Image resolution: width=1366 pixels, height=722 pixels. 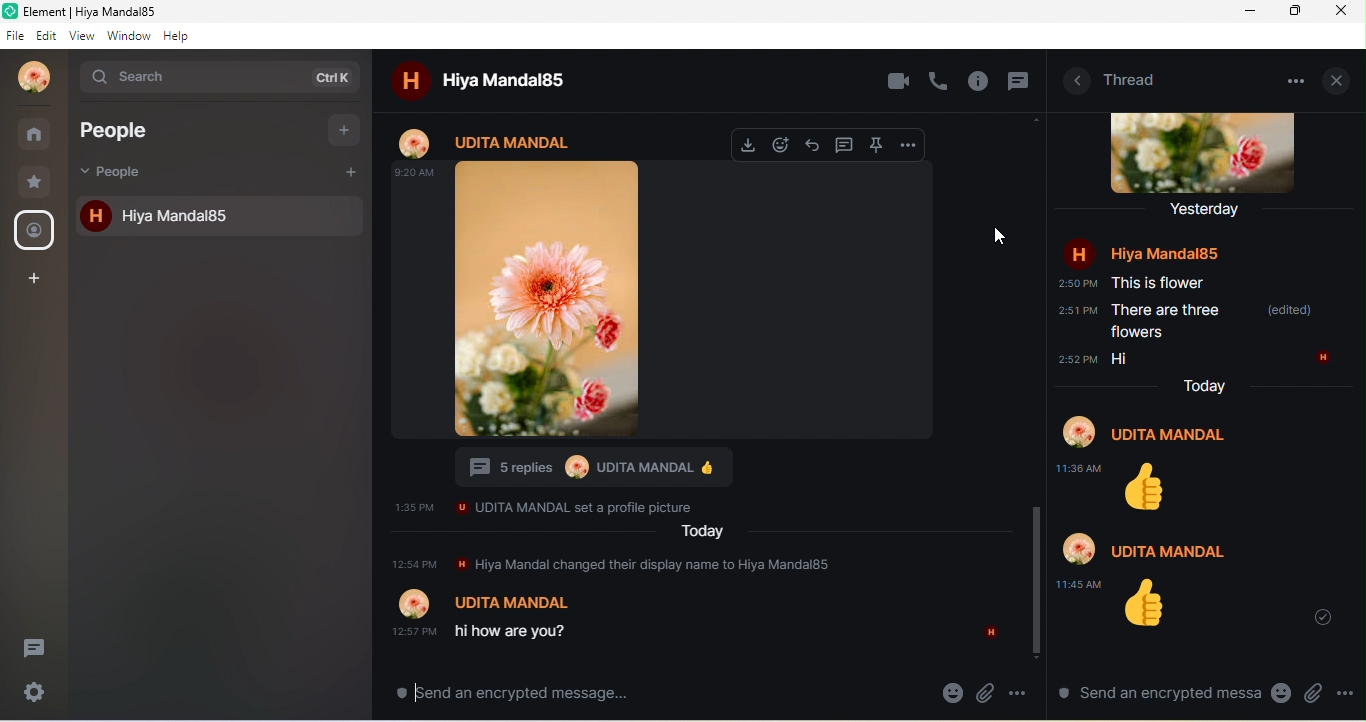 What do you see at coordinates (416, 631) in the screenshot?
I see `12:57 PM` at bounding box center [416, 631].